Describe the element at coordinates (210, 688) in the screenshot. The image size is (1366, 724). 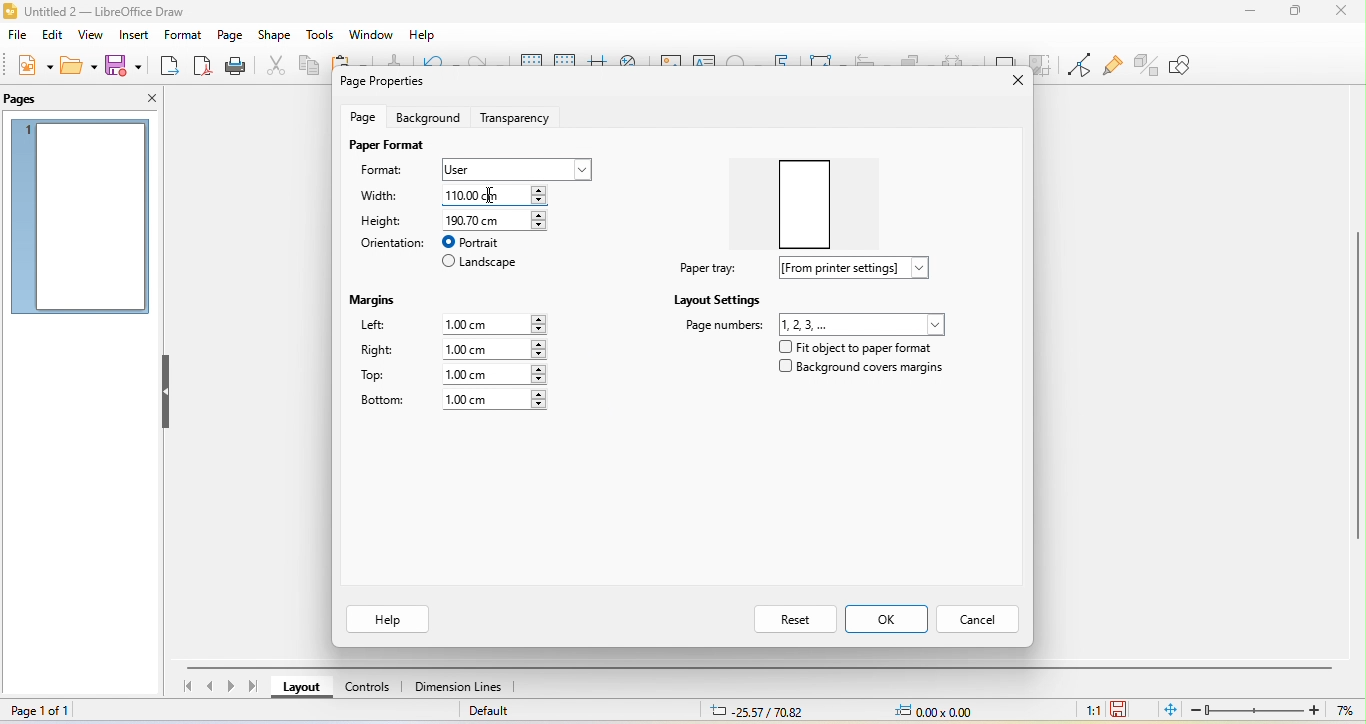
I see `previous page` at that location.